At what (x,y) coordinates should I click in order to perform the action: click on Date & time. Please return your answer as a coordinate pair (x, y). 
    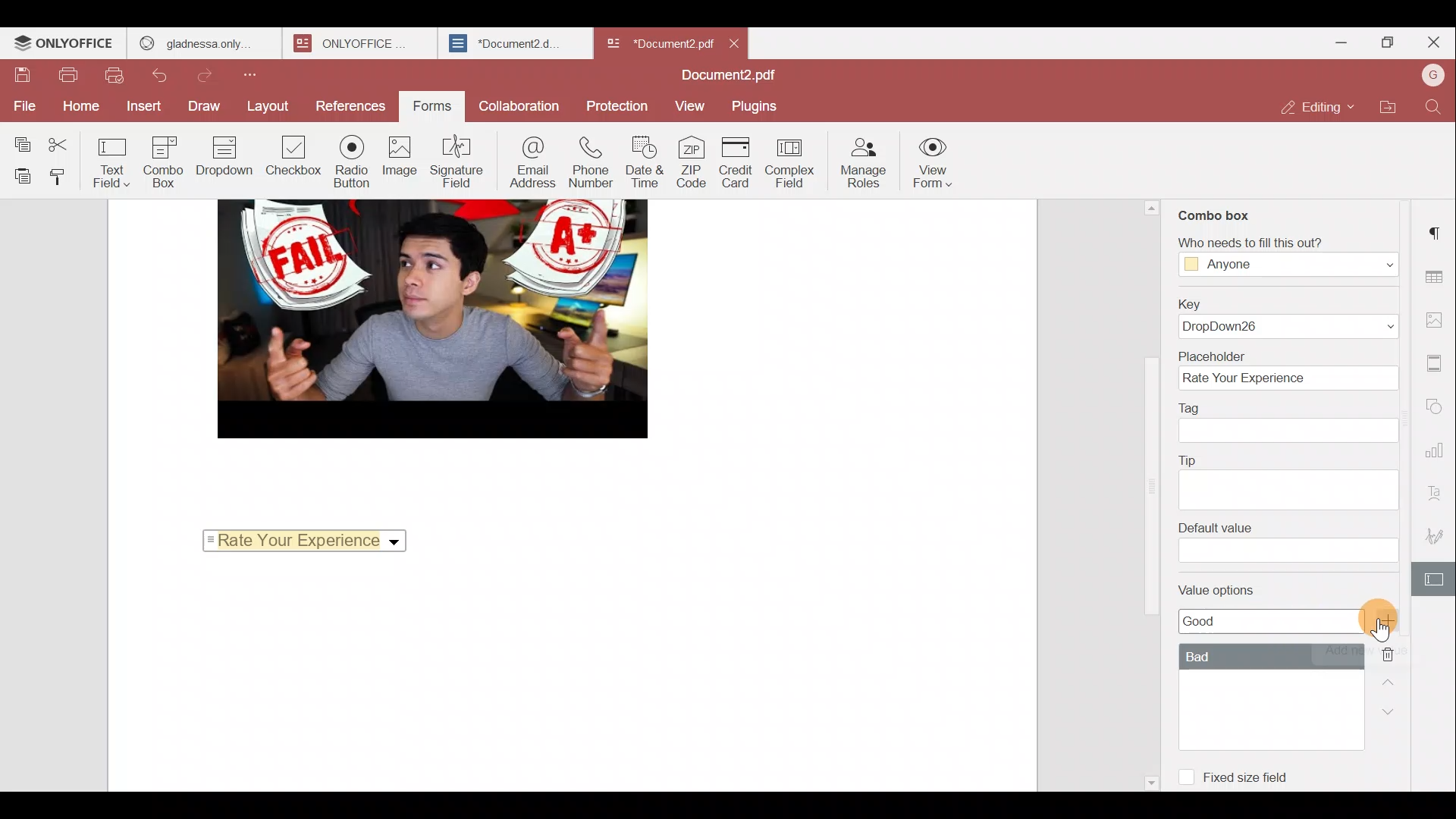
    Looking at the image, I should click on (645, 165).